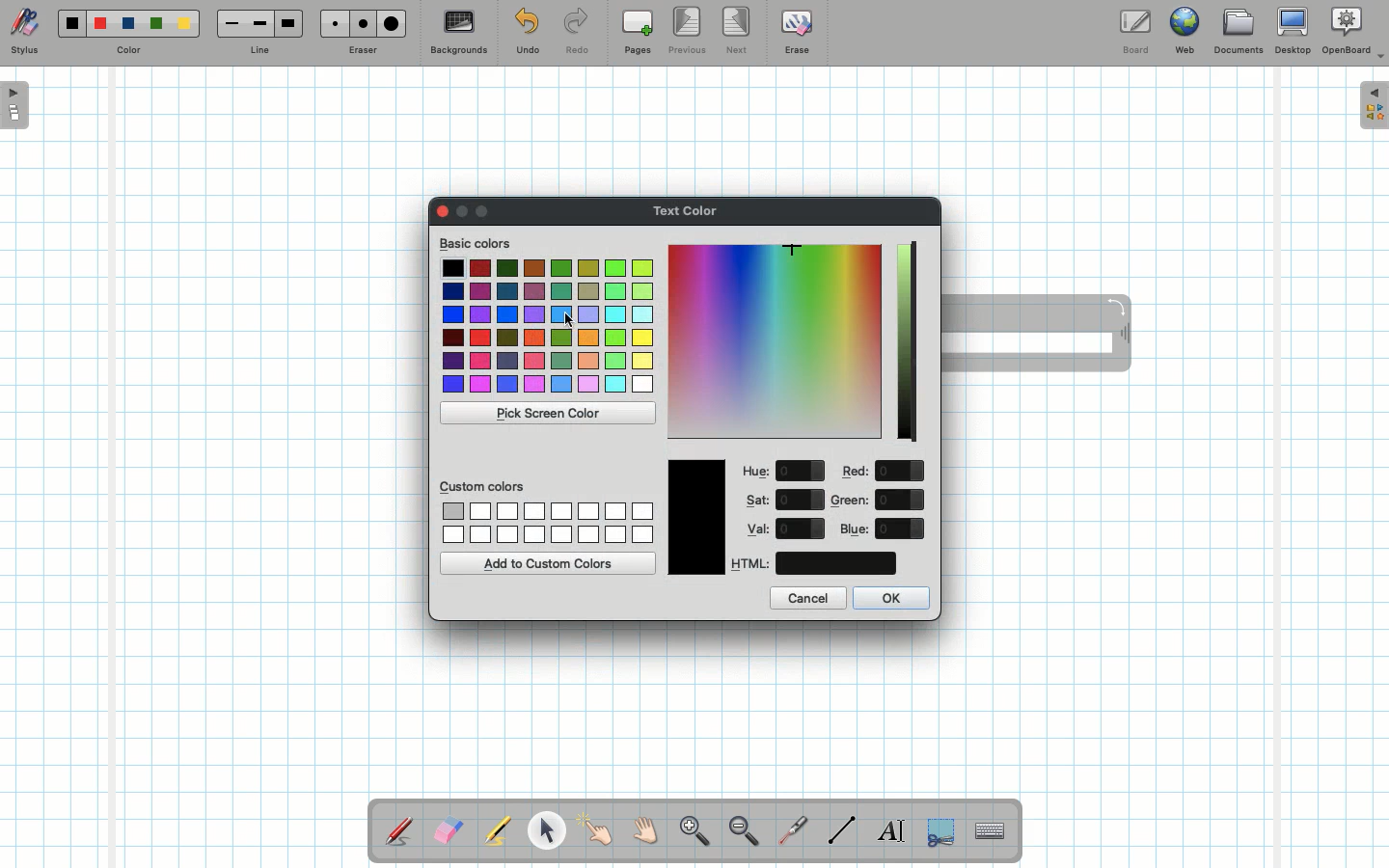  What do you see at coordinates (901, 500) in the screenshot?
I see `value` at bounding box center [901, 500].